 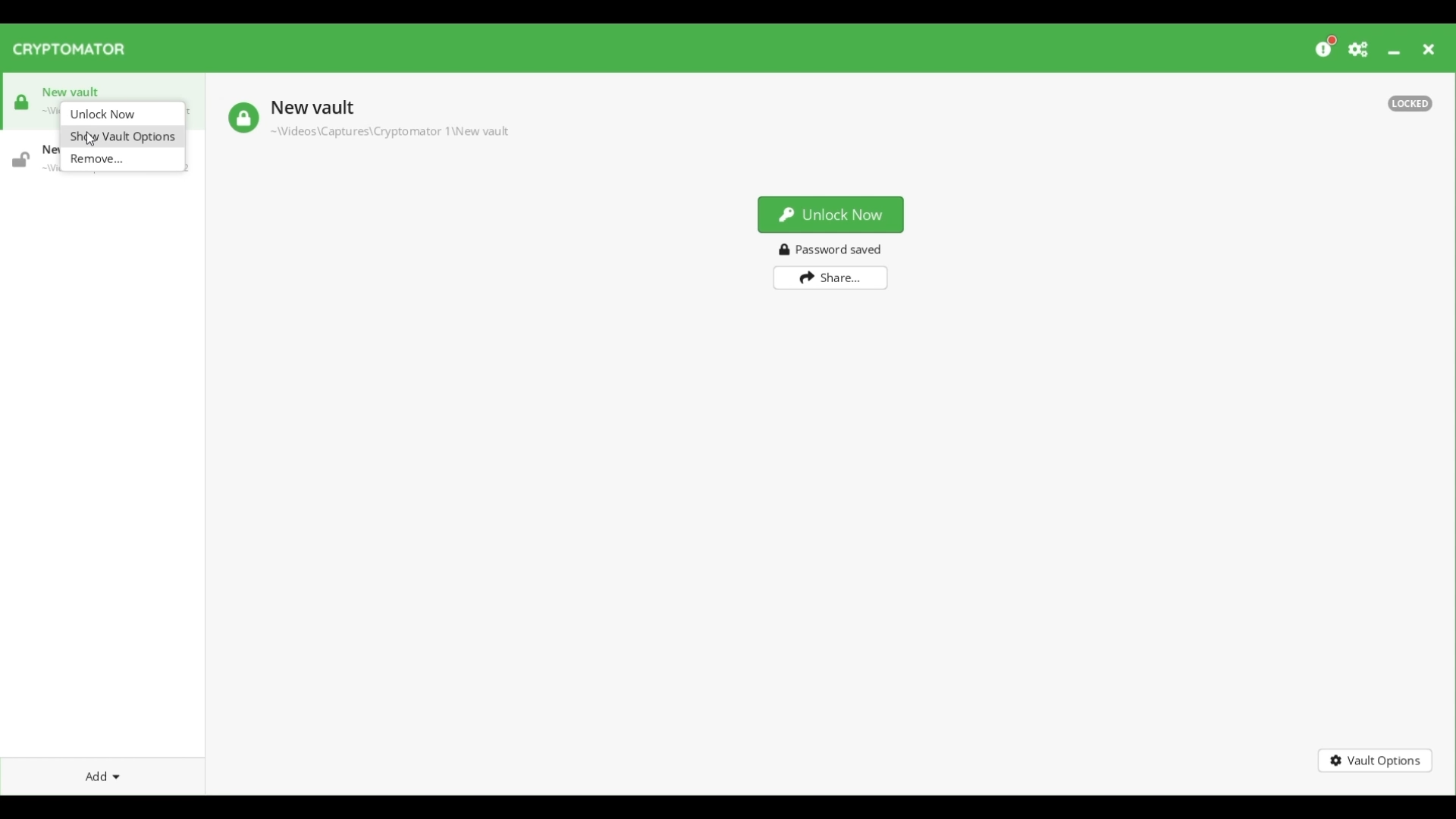 I want to click on Minimize, so click(x=1394, y=52).